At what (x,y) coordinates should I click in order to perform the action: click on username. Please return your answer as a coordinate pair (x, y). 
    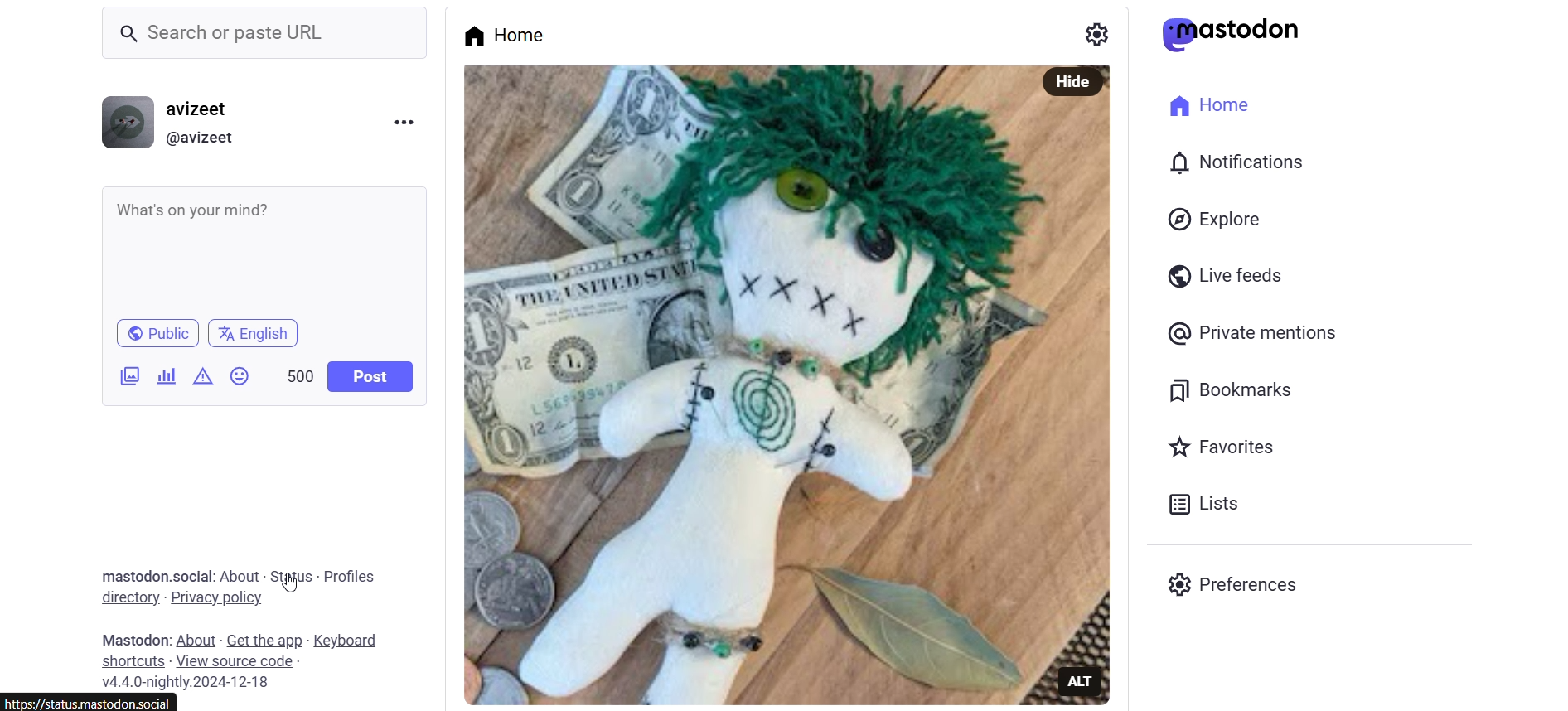
    Looking at the image, I should click on (203, 107).